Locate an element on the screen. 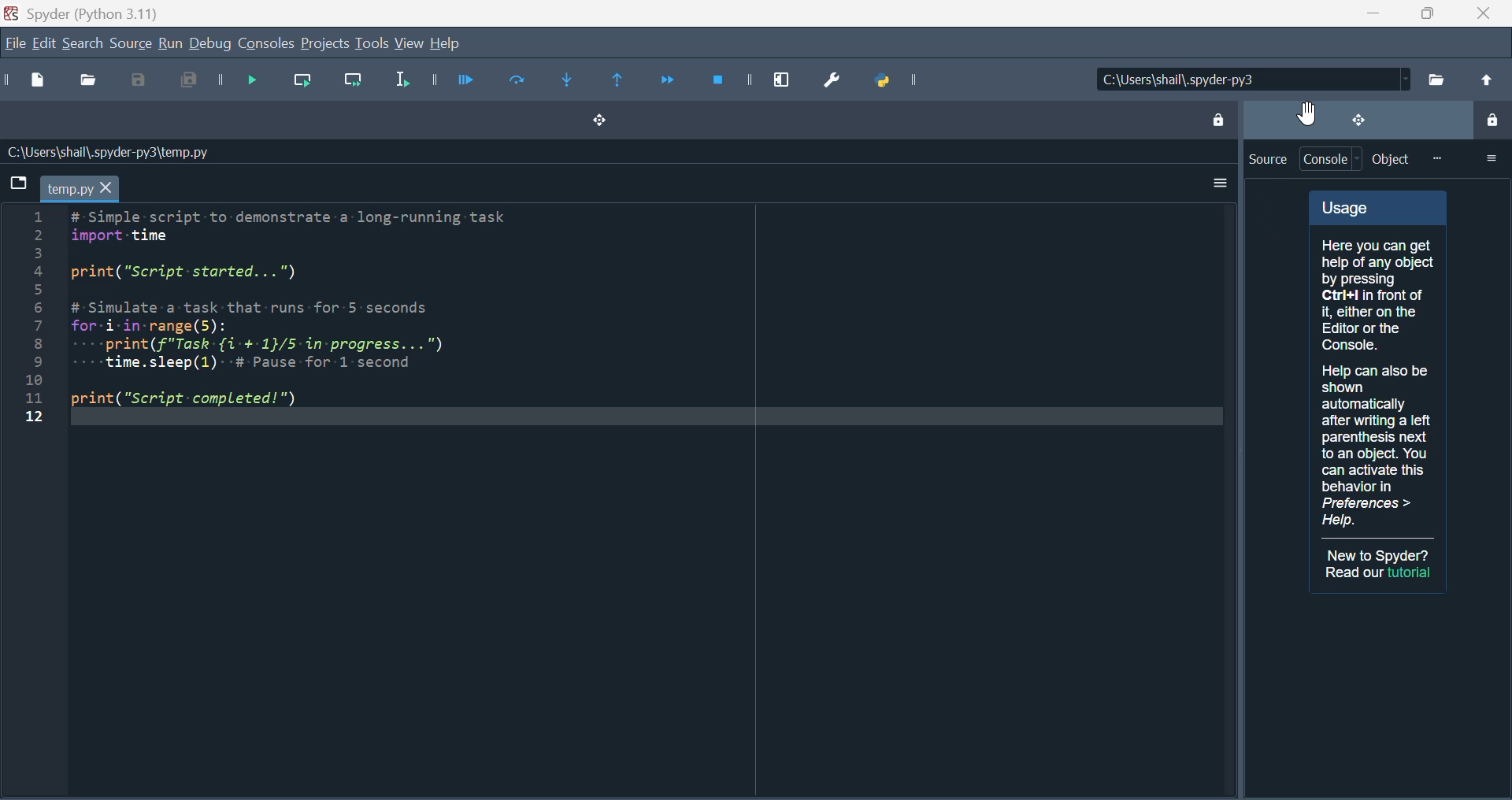  run current line and go to the next one is located at coordinates (356, 84).